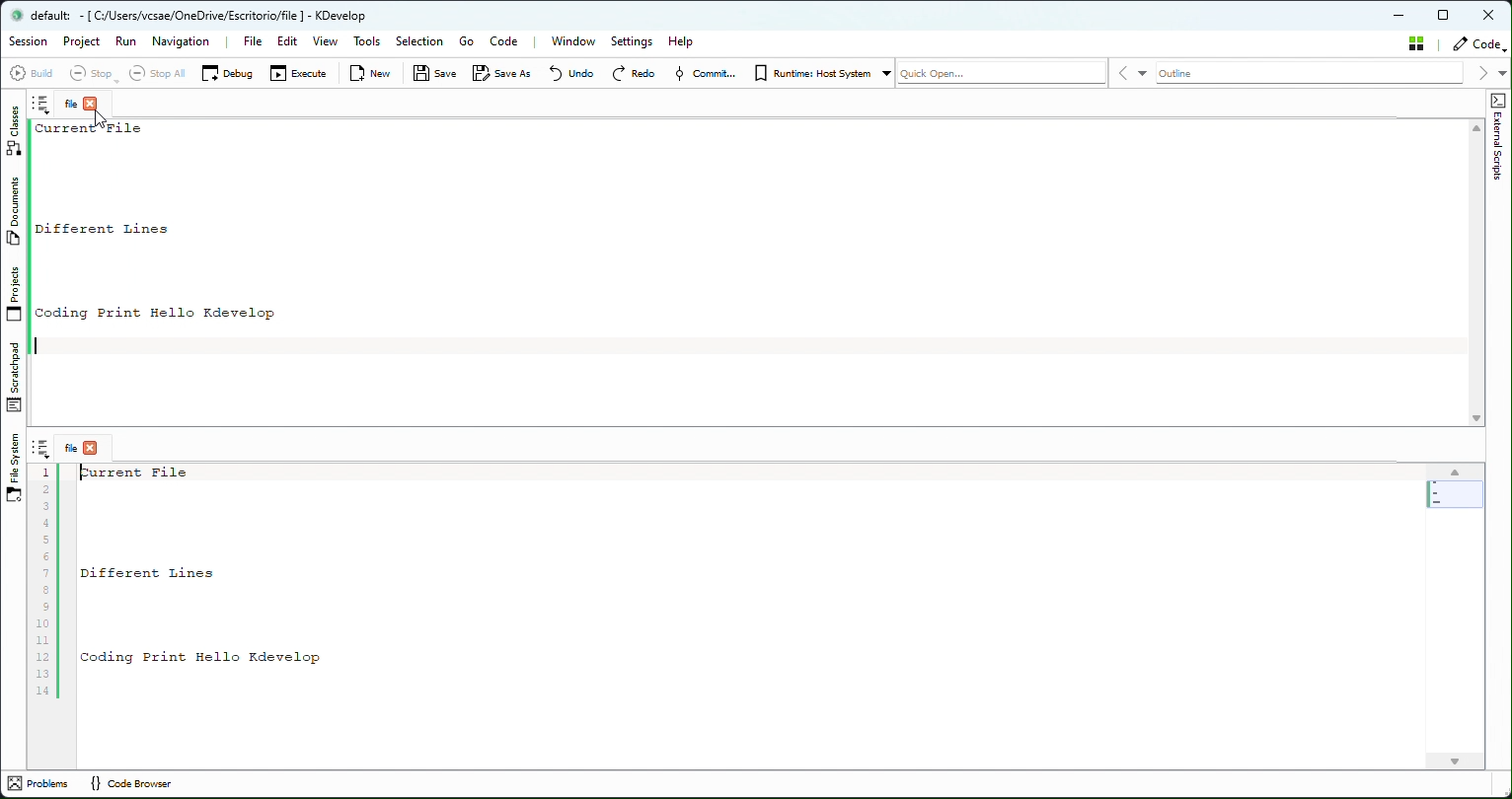  What do you see at coordinates (1404, 13) in the screenshot?
I see `Minimize` at bounding box center [1404, 13].